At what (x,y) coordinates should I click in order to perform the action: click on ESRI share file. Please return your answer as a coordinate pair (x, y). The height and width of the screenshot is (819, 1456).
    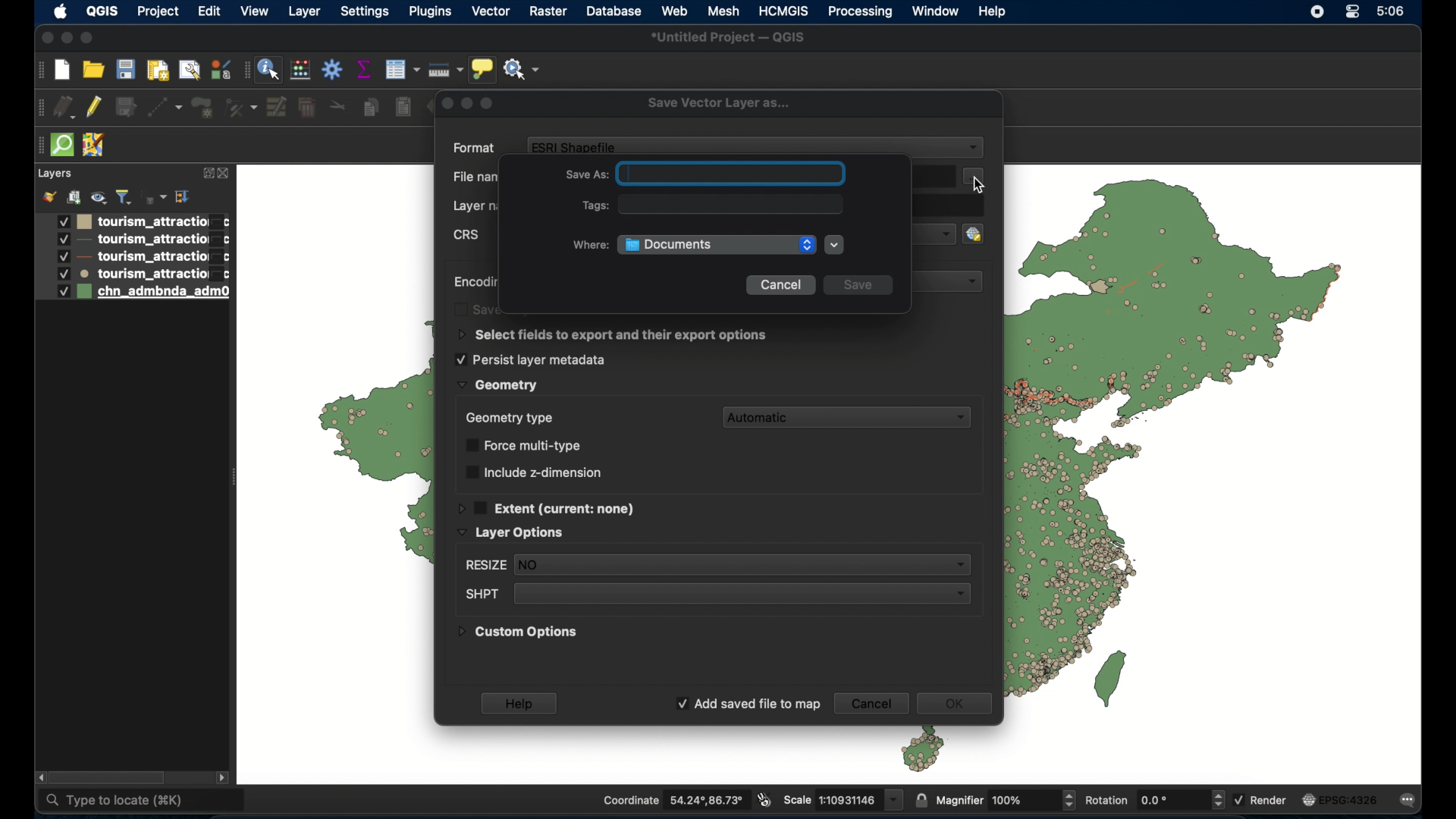
    Looking at the image, I should click on (576, 146).